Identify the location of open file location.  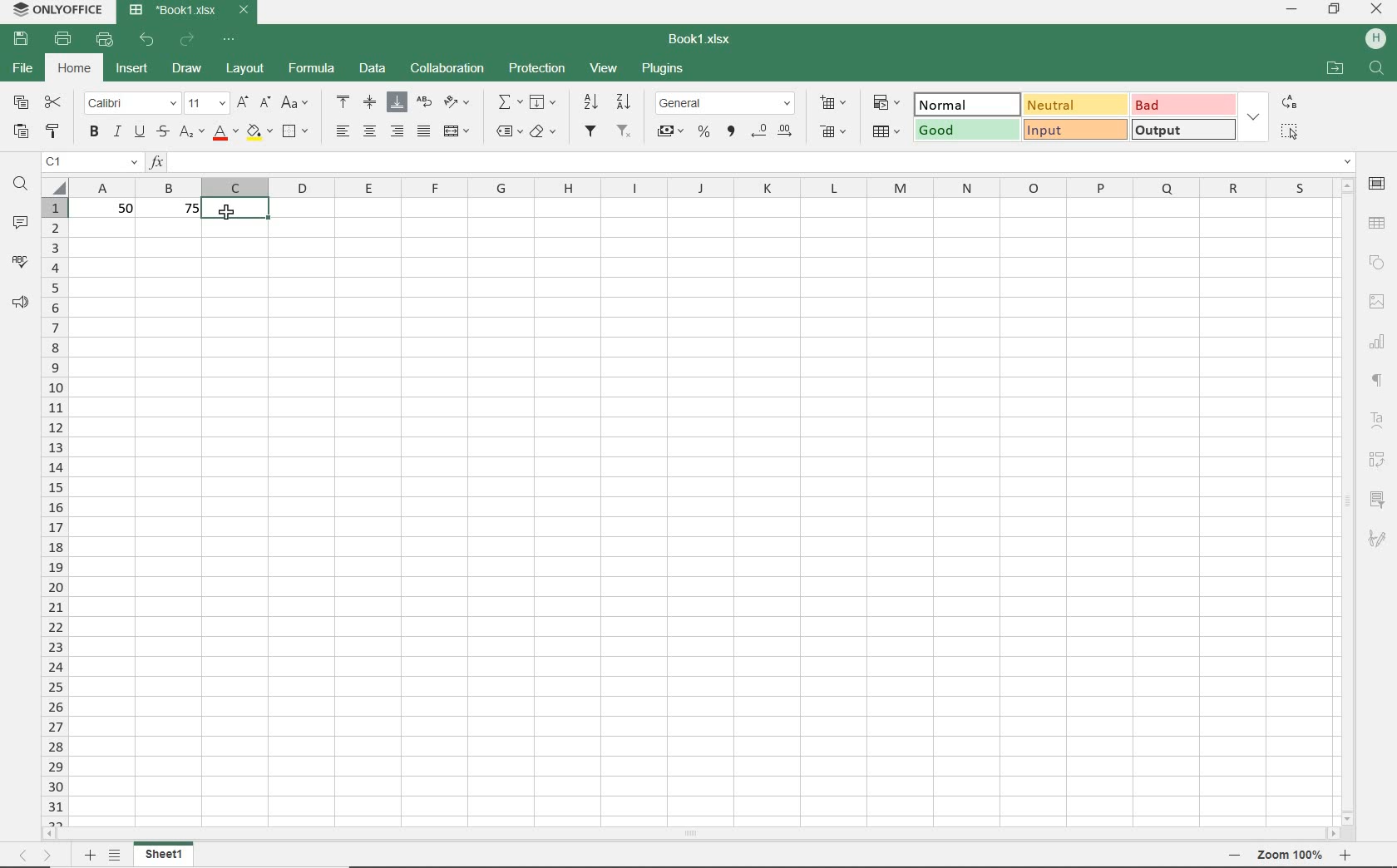
(1335, 68).